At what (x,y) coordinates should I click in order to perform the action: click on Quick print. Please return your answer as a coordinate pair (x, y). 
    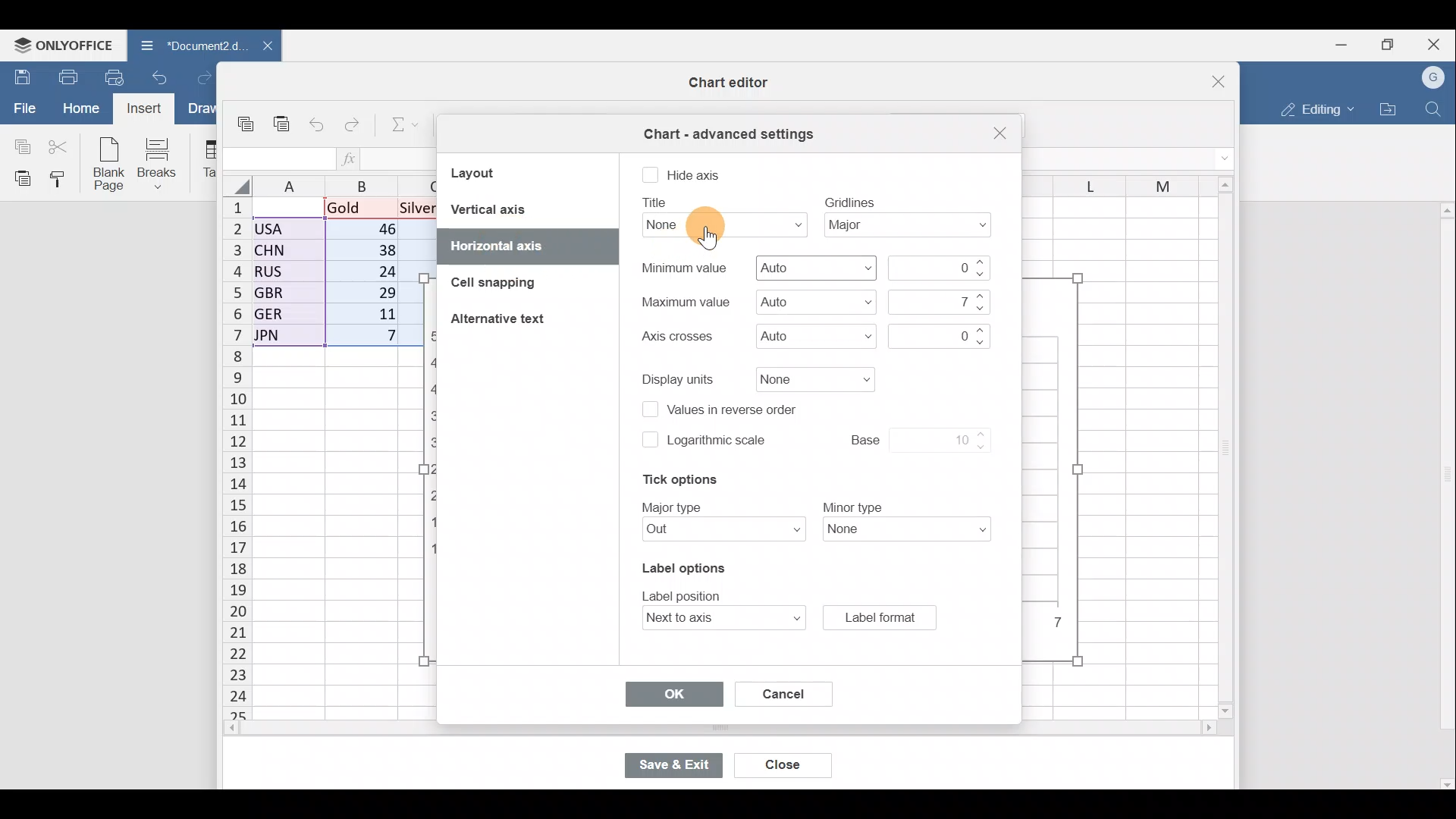
    Looking at the image, I should click on (115, 77).